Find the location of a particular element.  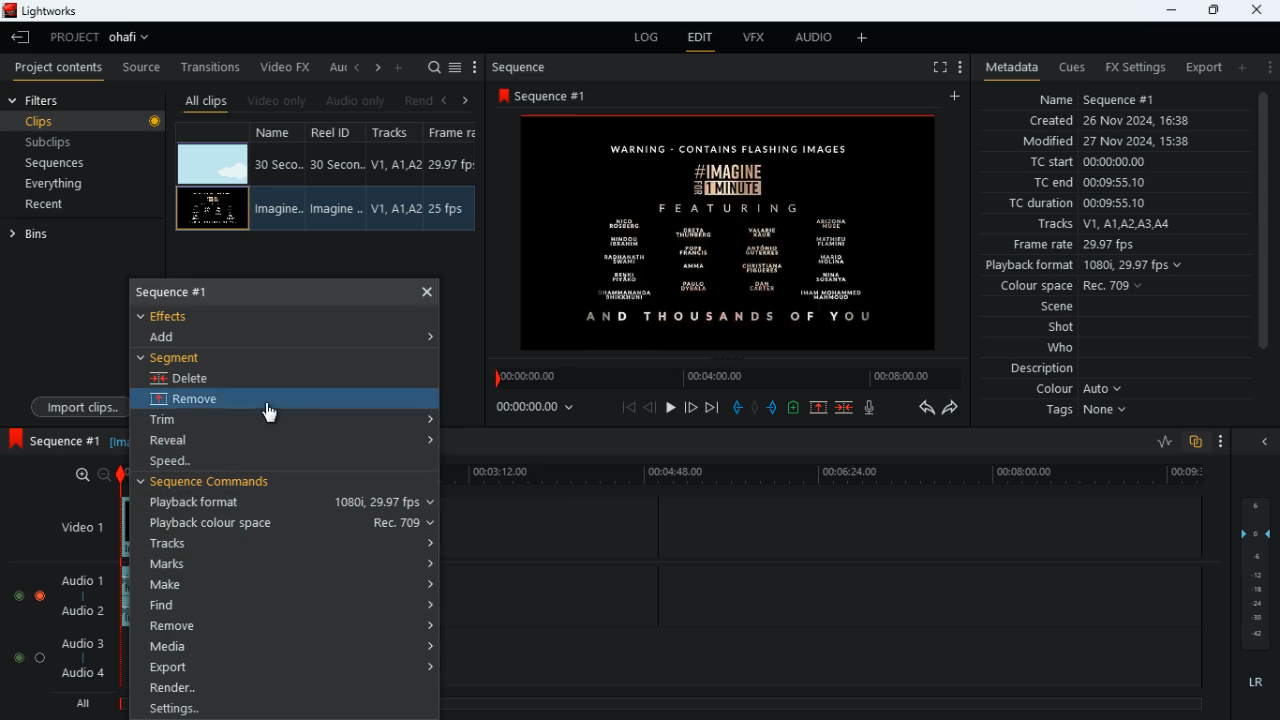

time is located at coordinates (821, 475).